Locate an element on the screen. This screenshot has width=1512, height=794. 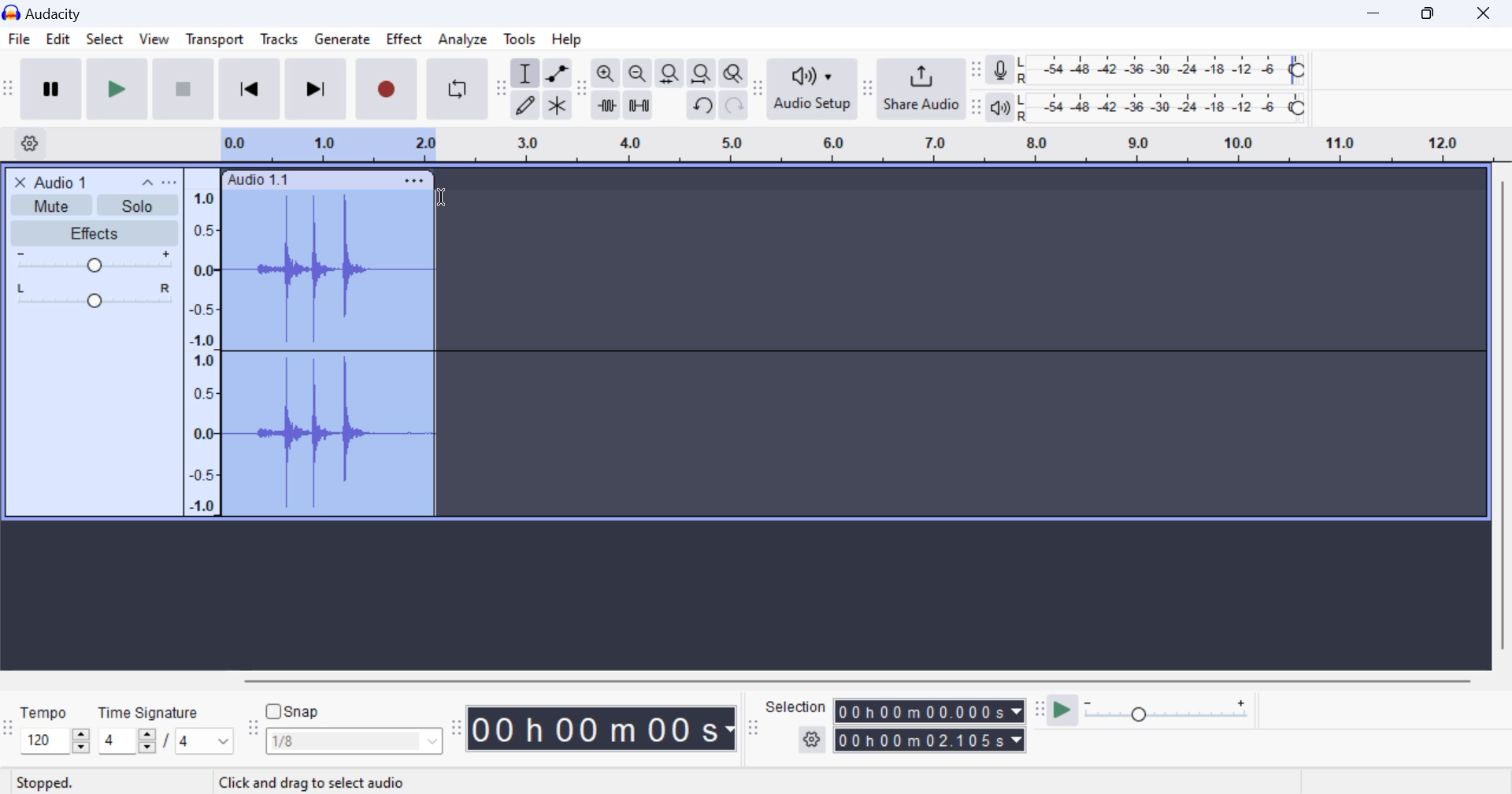
play at speed is located at coordinates (1062, 711).